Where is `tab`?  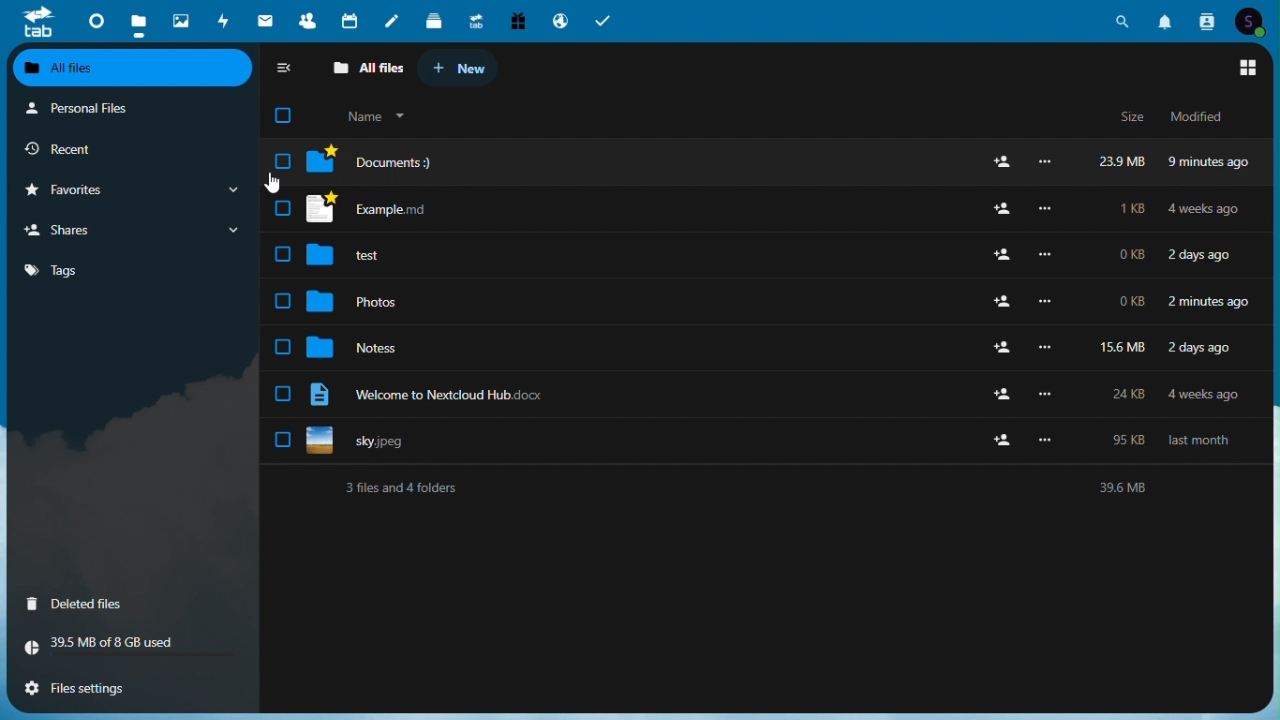 tab is located at coordinates (39, 21).